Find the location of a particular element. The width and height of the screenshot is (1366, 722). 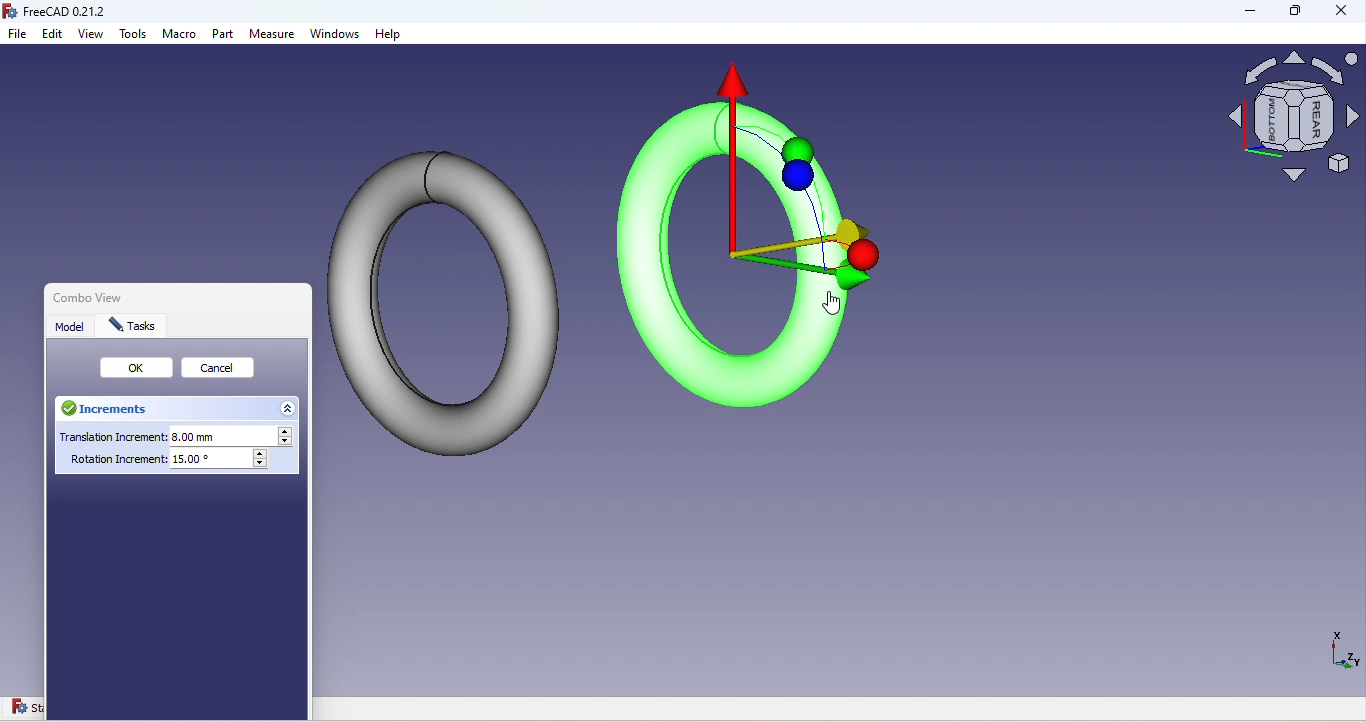

File is located at coordinates (19, 35).